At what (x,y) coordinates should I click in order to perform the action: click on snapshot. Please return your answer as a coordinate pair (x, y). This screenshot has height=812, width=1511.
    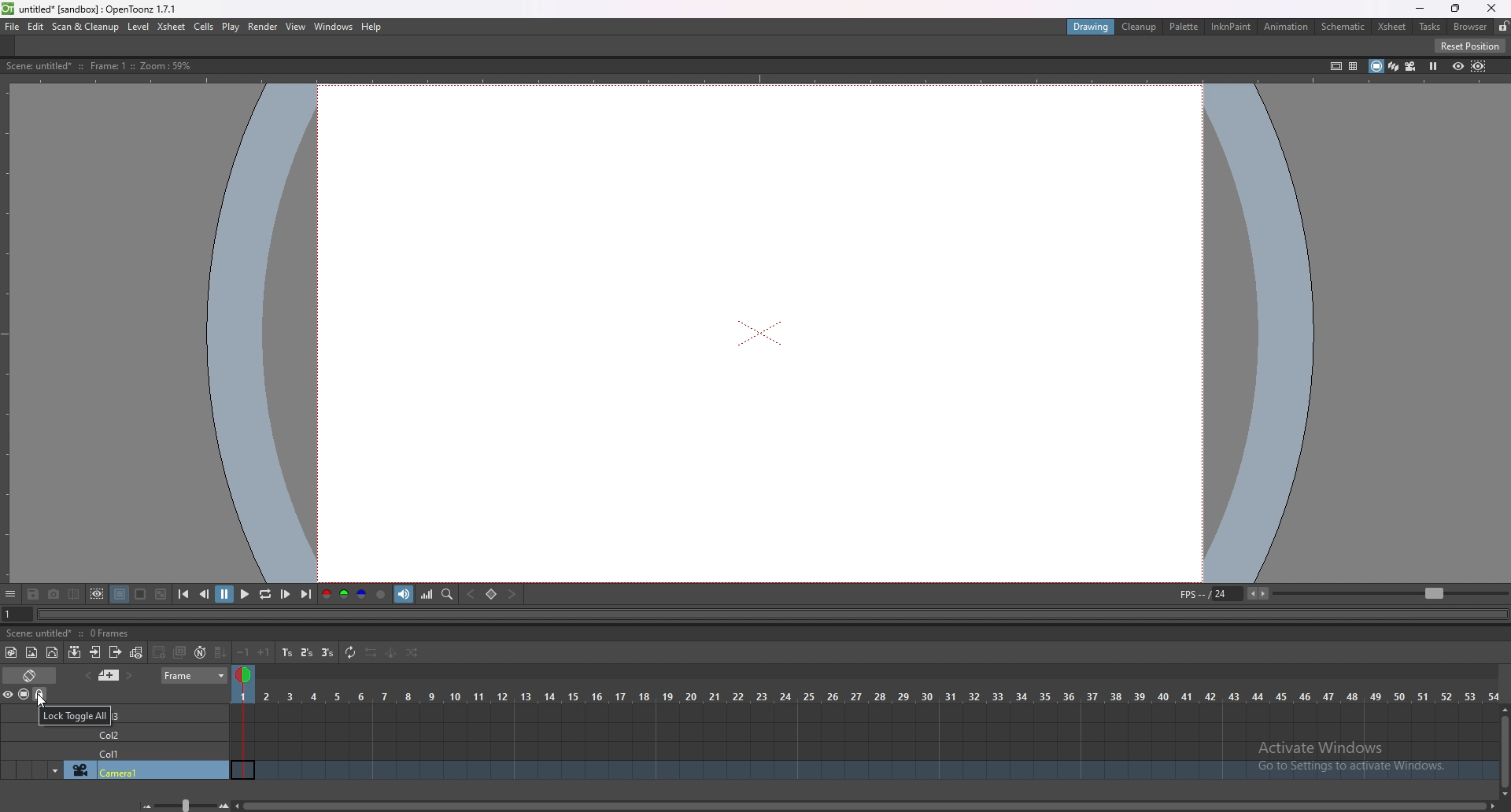
    Looking at the image, I should click on (54, 594).